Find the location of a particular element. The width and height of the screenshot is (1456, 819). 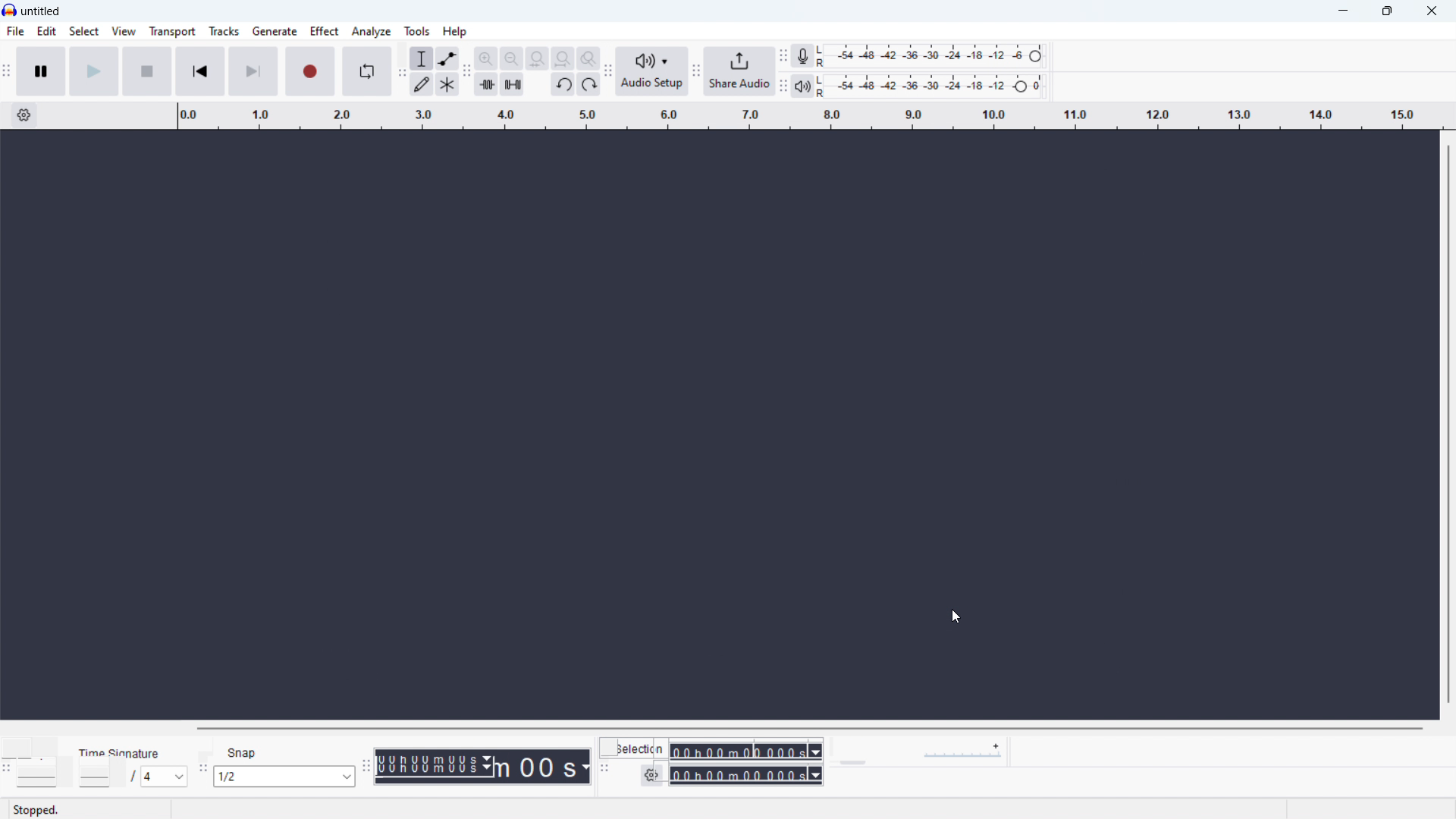

recording level is located at coordinates (936, 57).